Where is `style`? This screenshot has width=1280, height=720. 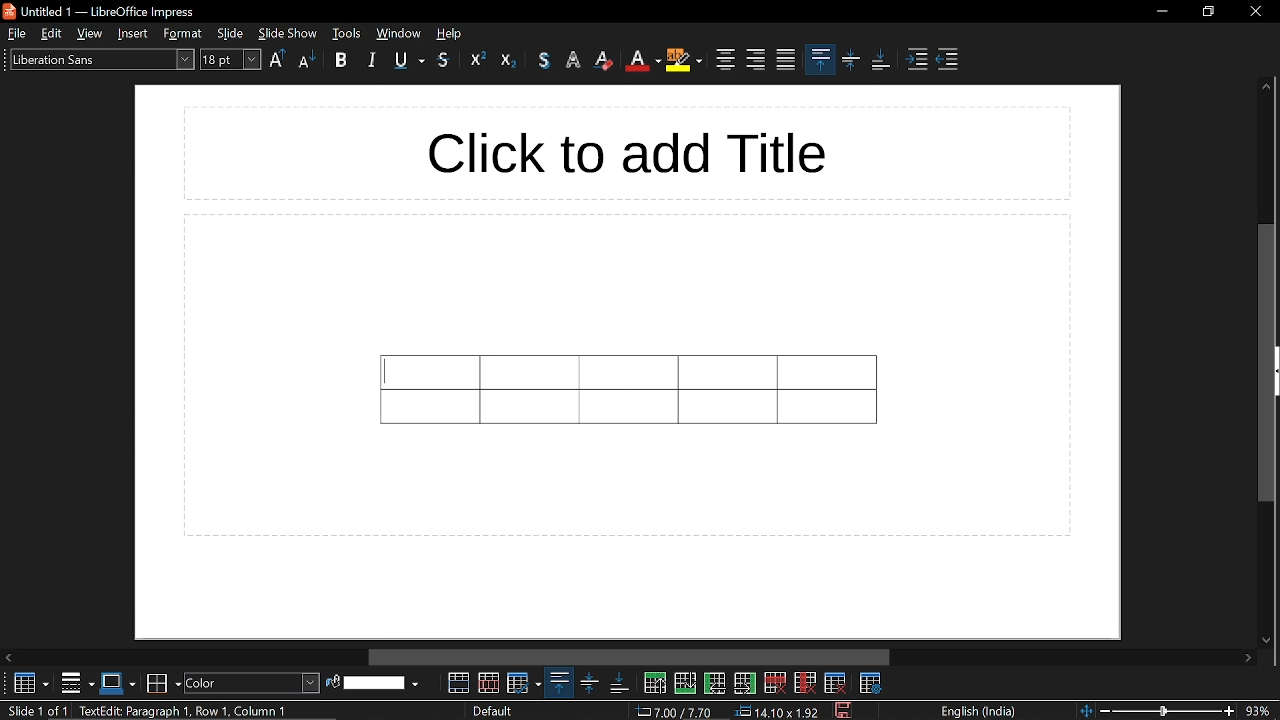
style is located at coordinates (182, 34).